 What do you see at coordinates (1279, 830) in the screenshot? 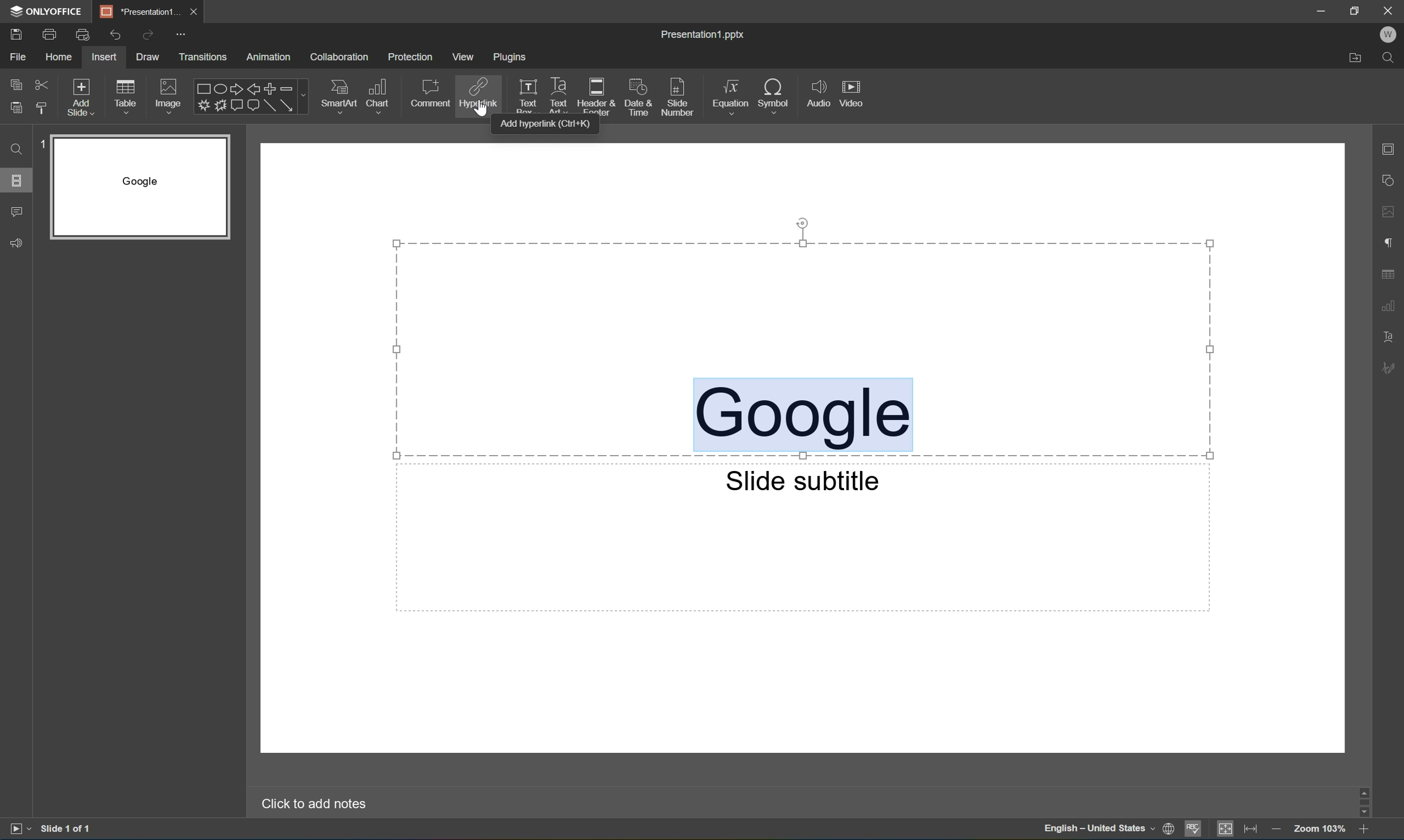
I see `Zoom out` at bounding box center [1279, 830].